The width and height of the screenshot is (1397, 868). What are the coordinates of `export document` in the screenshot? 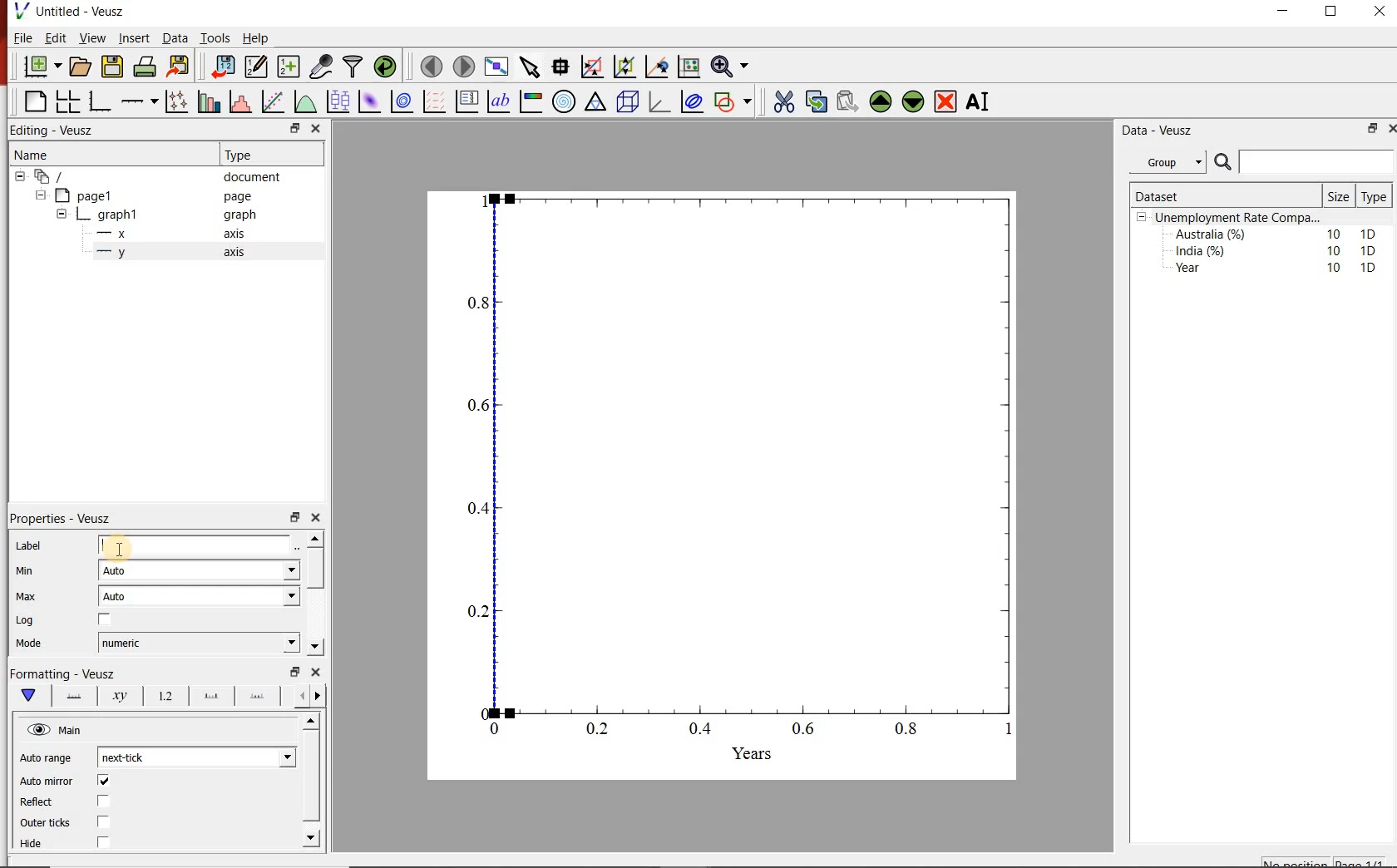 It's located at (180, 65).